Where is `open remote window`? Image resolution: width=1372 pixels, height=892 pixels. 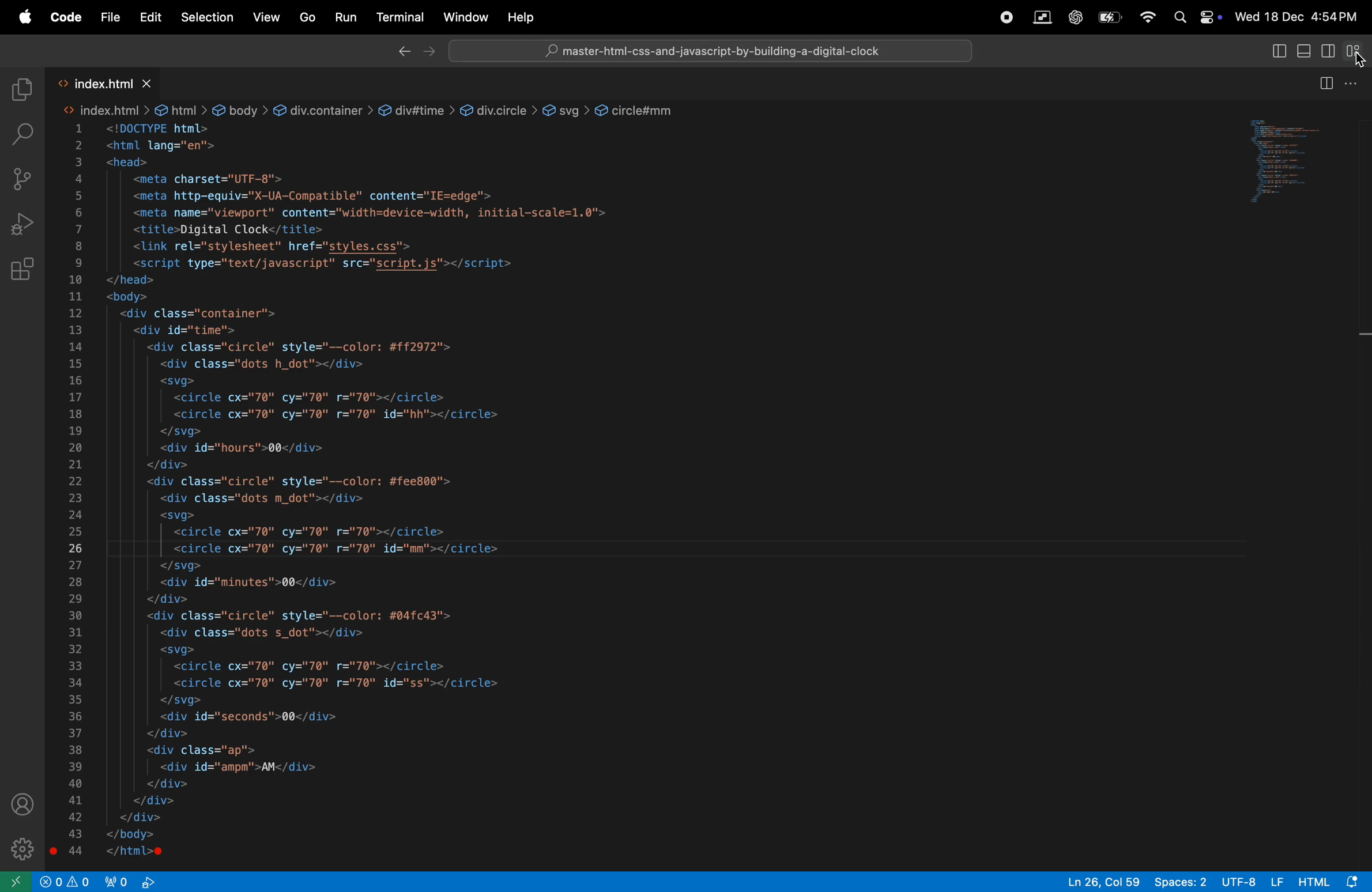 open remote window is located at coordinates (19, 883).